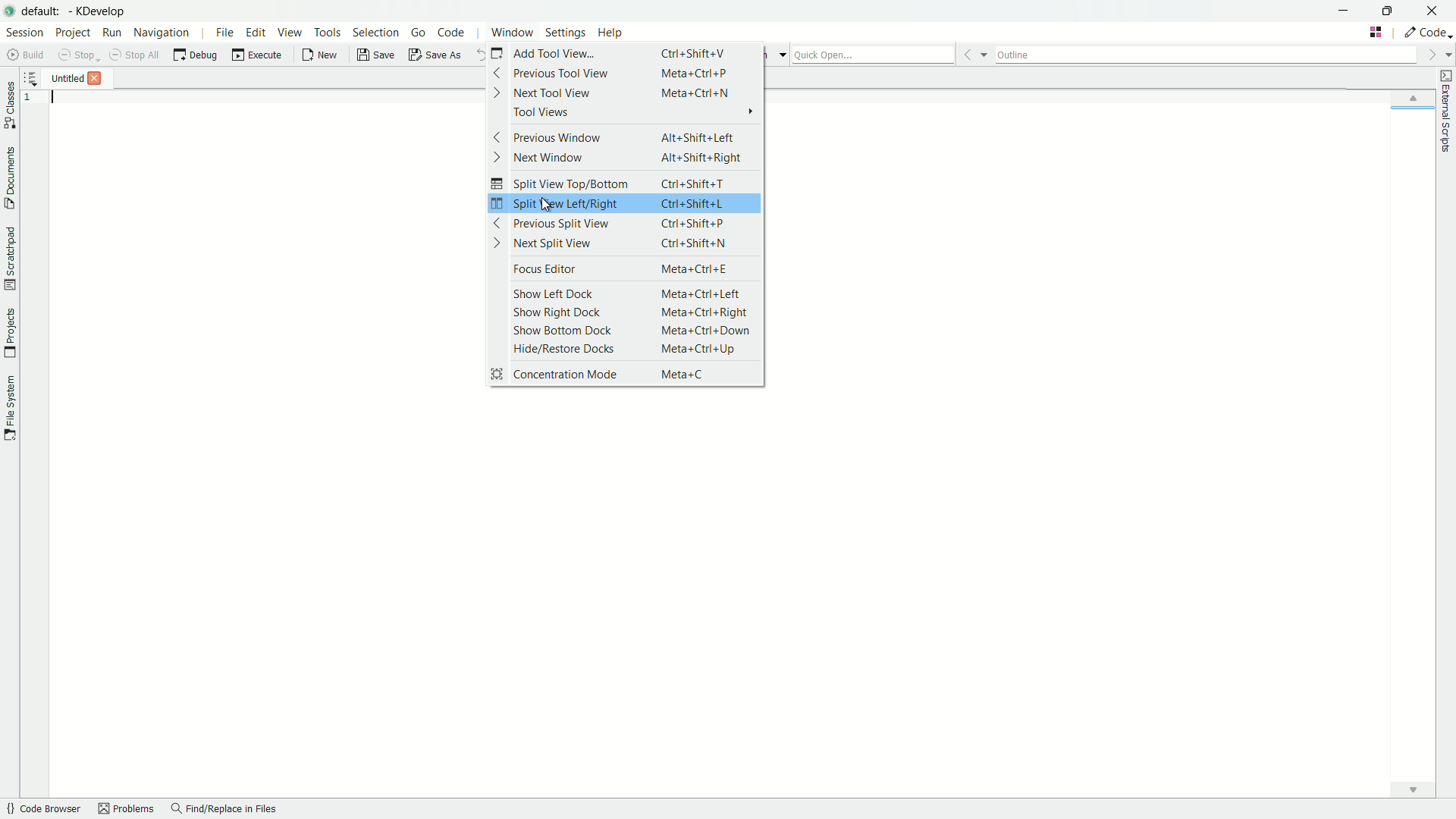  What do you see at coordinates (14, 175) in the screenshot?
I see `toggle documents` at bounding box center [14, 175].